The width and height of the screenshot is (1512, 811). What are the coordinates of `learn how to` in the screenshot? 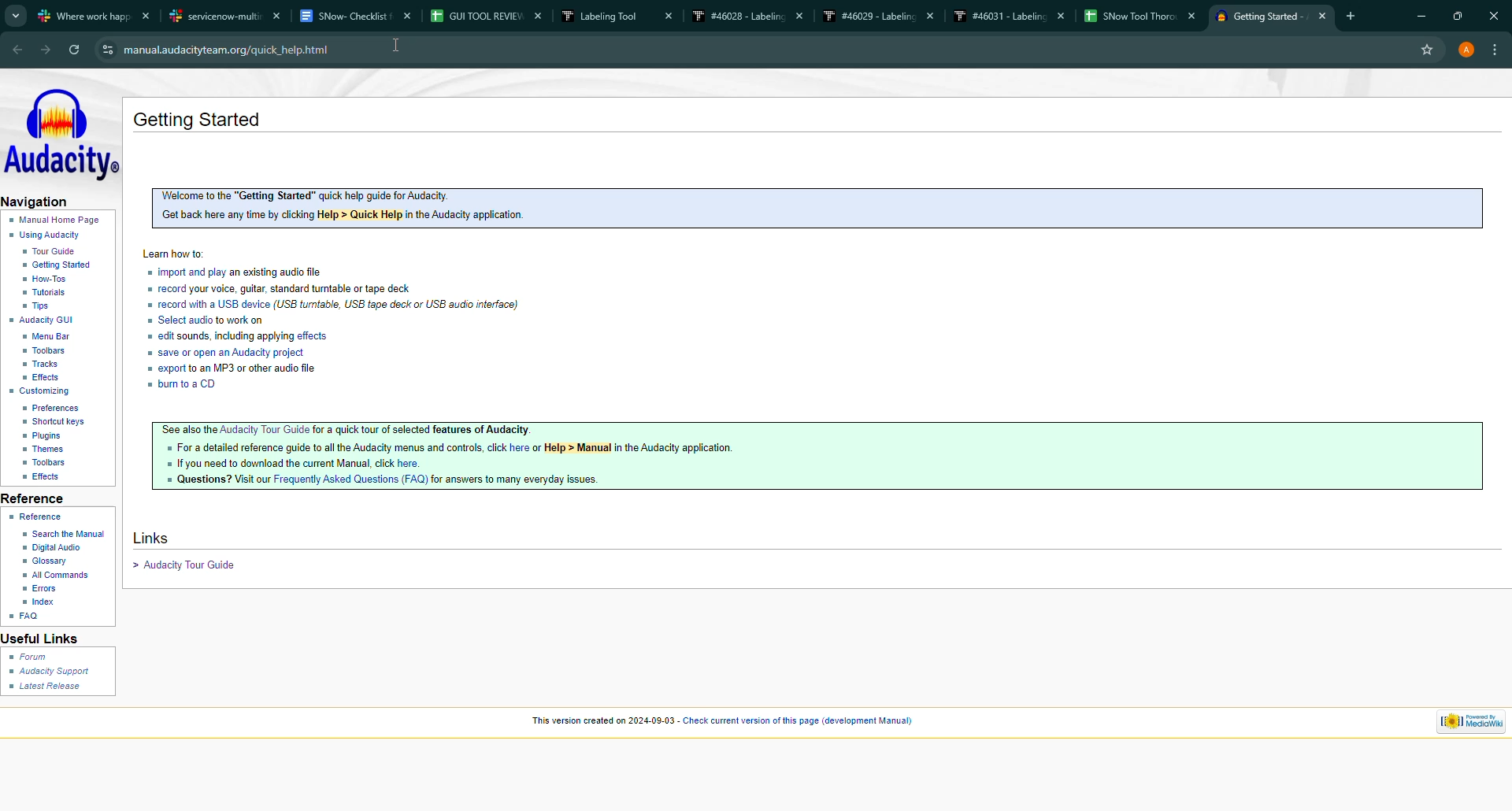 It's located at (176, 254).